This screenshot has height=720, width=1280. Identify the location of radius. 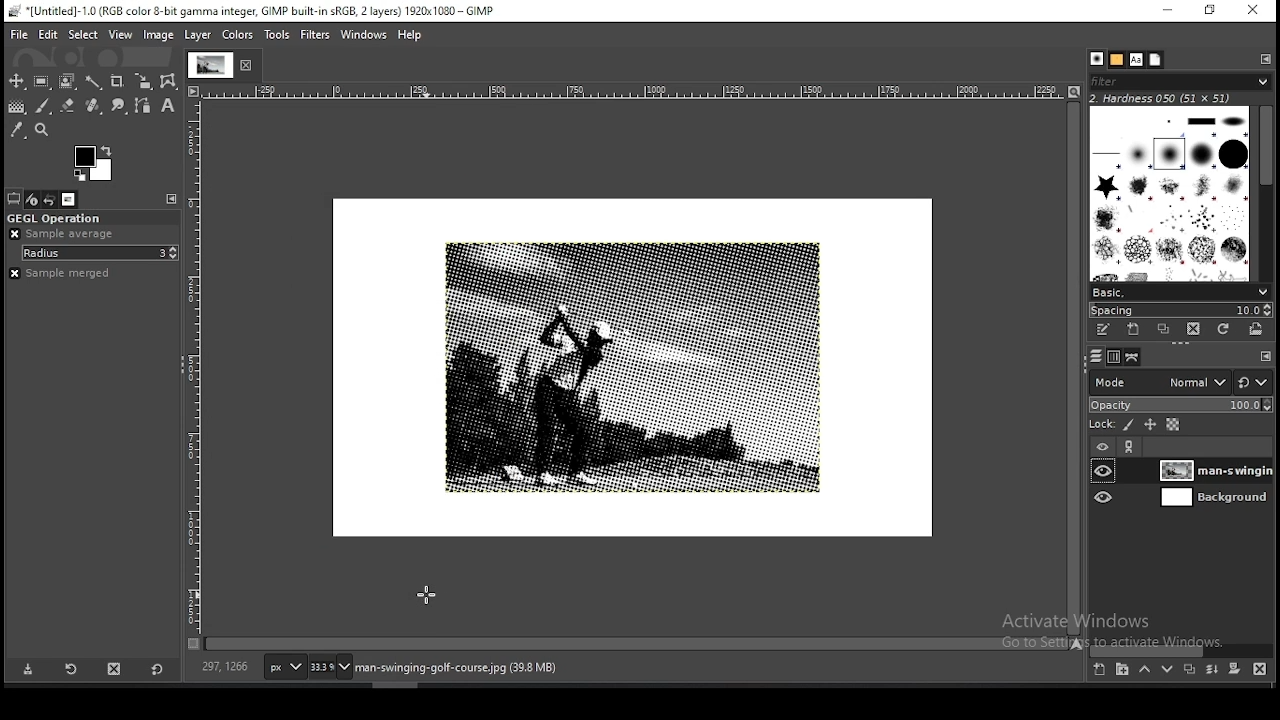
(91, 254).